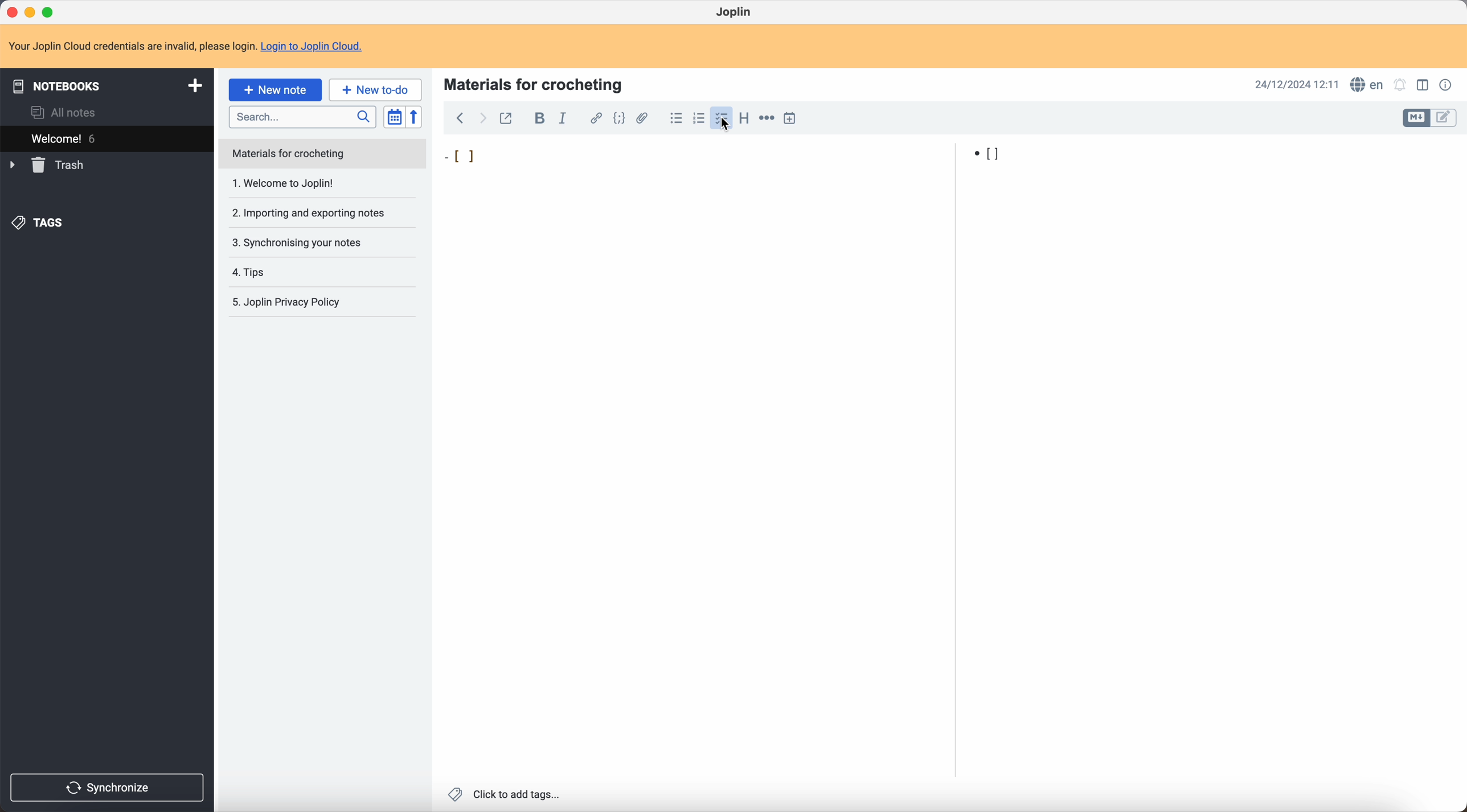  What do you see at coordinates (186, 46) in the screenshot?
I see `note` at bounding box center [186, 46].